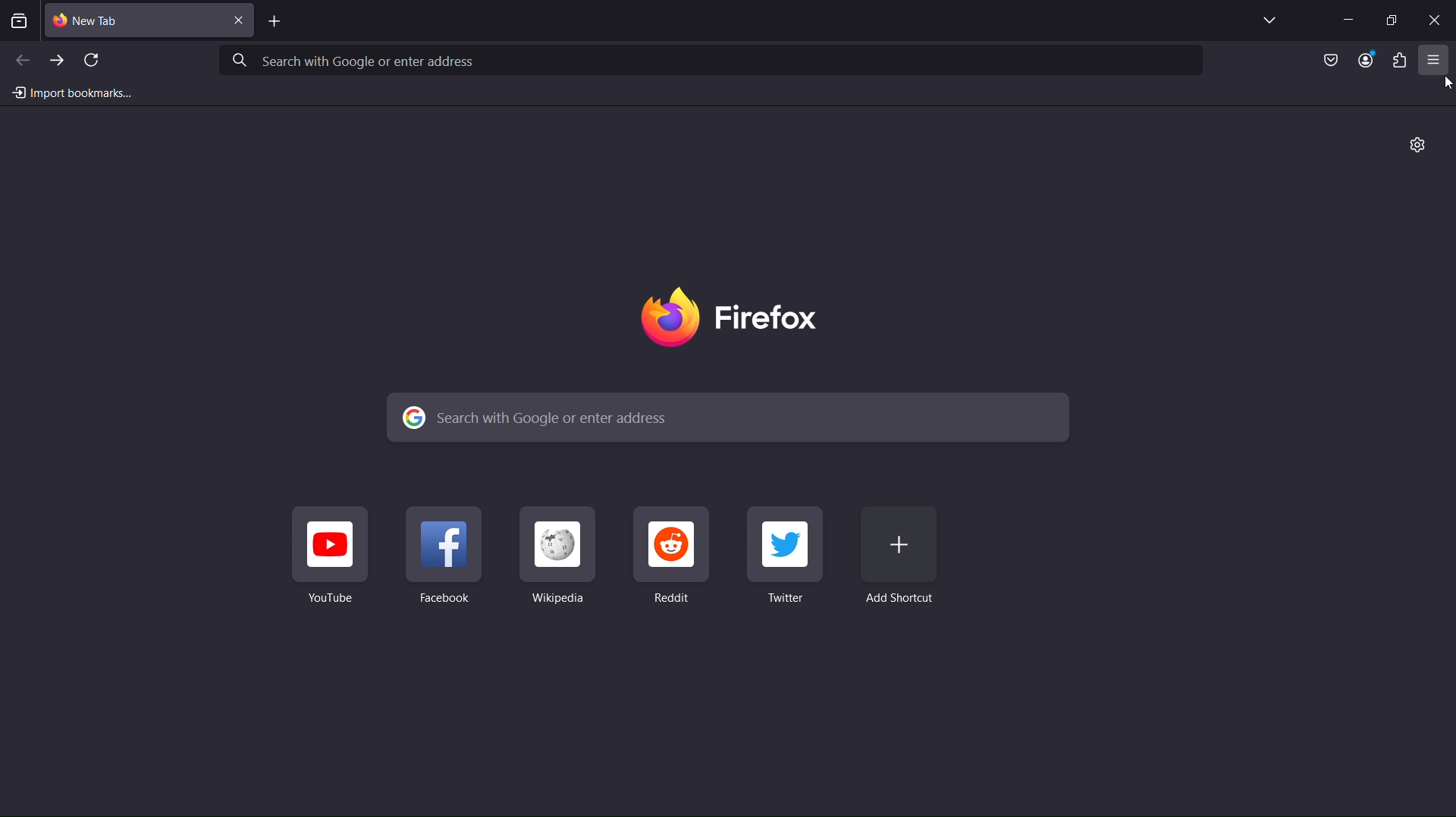  I want to click on Back, so click(18, 62).